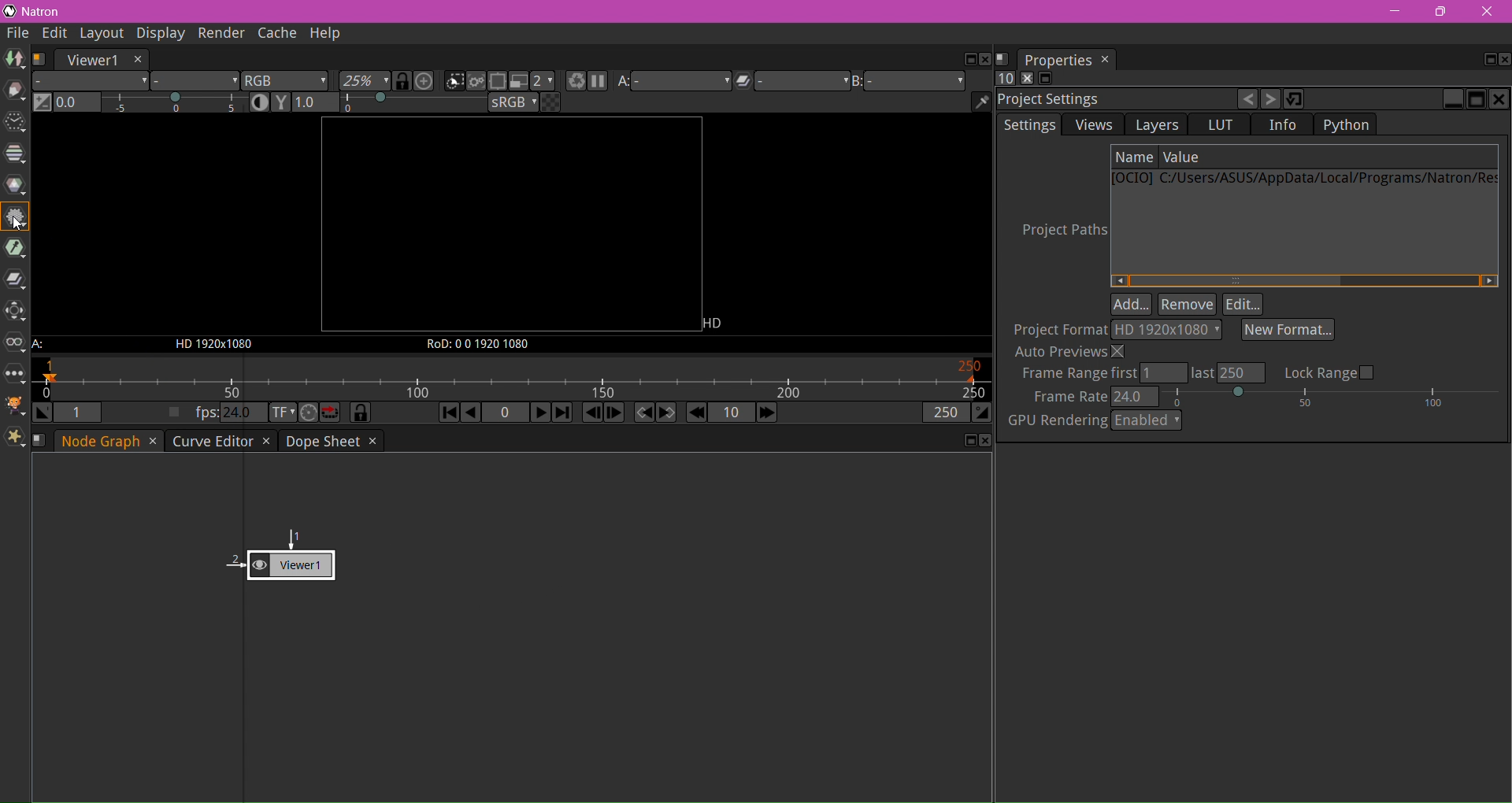  I want to click on Last farme, so click(561, 413).